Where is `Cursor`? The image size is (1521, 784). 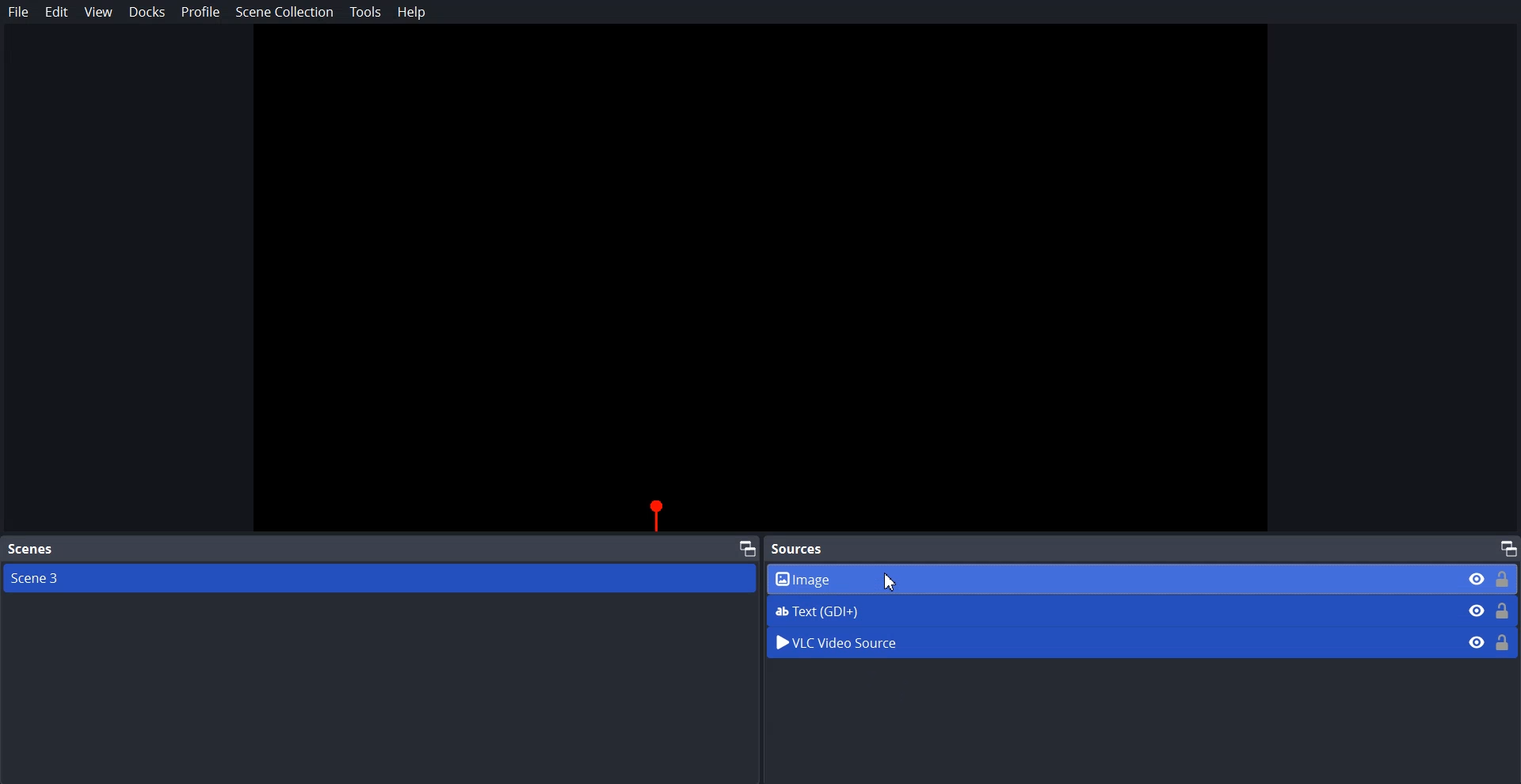 Cursor is located at coordinates (893, 581).